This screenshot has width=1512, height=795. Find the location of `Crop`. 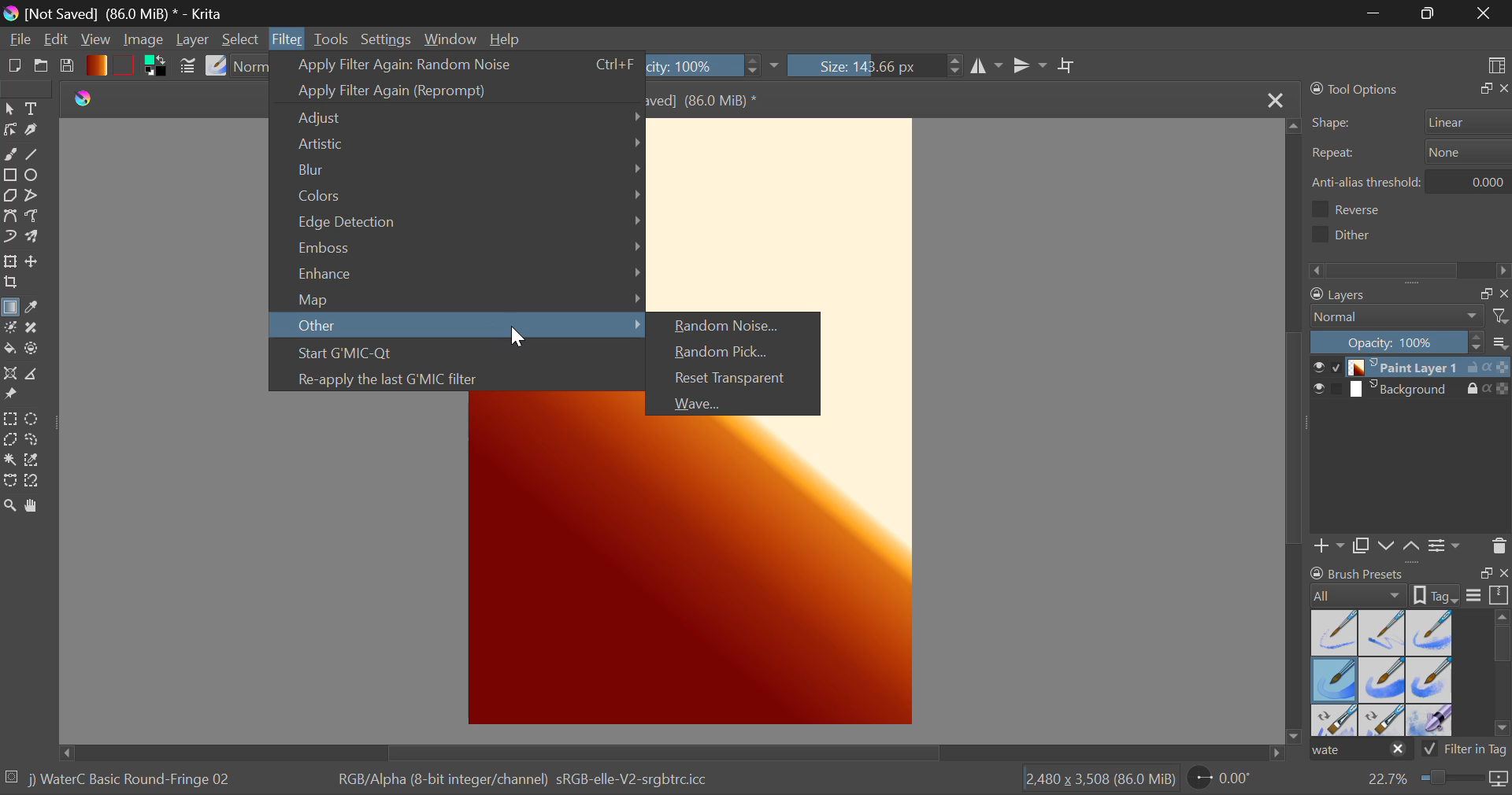

Crop is located at coordinates (10, 284).